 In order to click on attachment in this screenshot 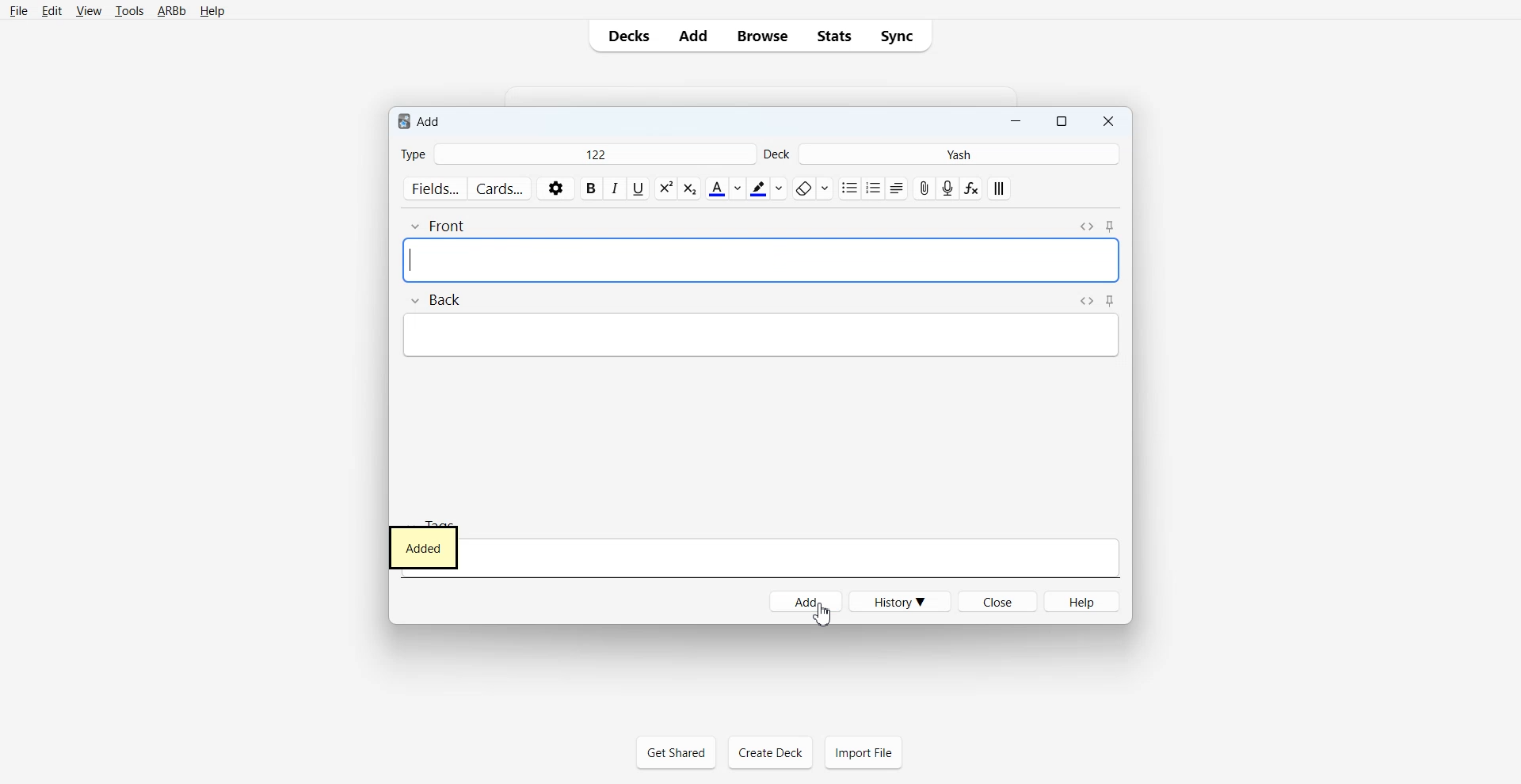, I will do `click(923, 188)`.